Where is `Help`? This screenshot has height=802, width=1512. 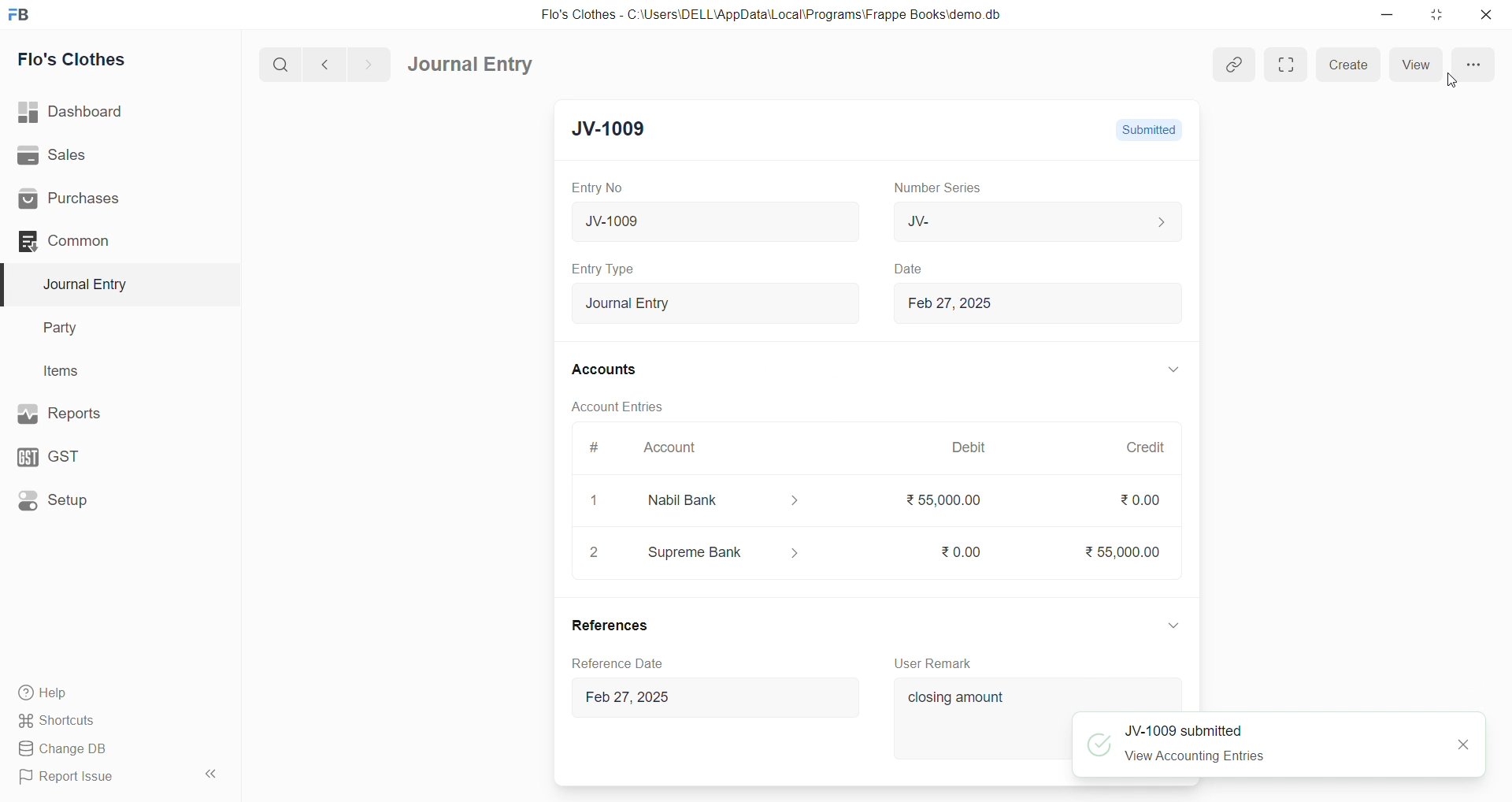 Help is located at coordinates (98, 694).